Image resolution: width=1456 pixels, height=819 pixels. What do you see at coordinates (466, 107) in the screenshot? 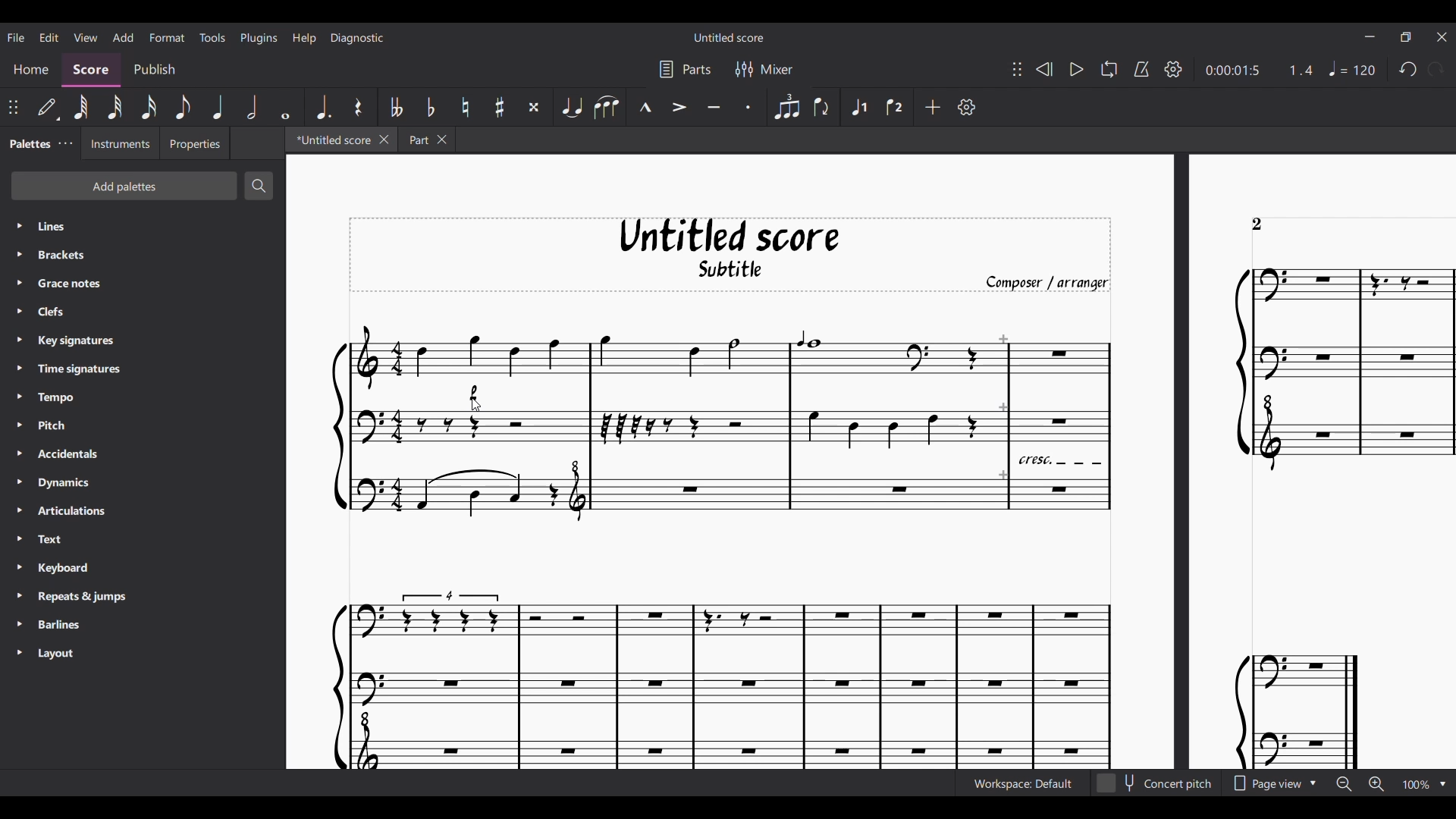
I see `Toggle natural` at bounding box center [466, 107].